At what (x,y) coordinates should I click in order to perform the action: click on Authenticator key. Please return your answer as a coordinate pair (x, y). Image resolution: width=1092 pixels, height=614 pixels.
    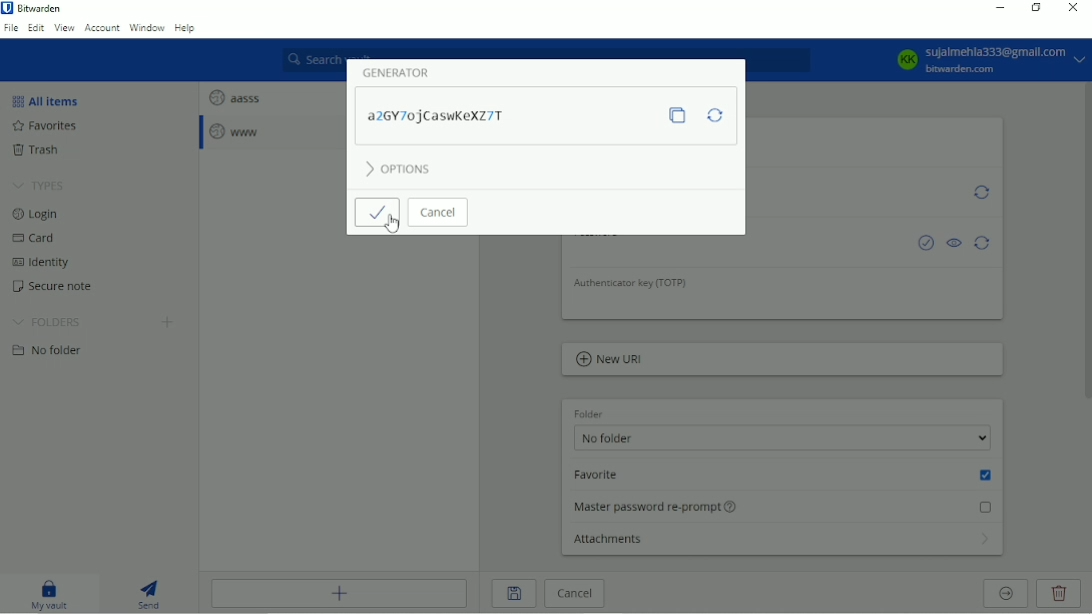
    Looking at the image, I should click on (632, 282).